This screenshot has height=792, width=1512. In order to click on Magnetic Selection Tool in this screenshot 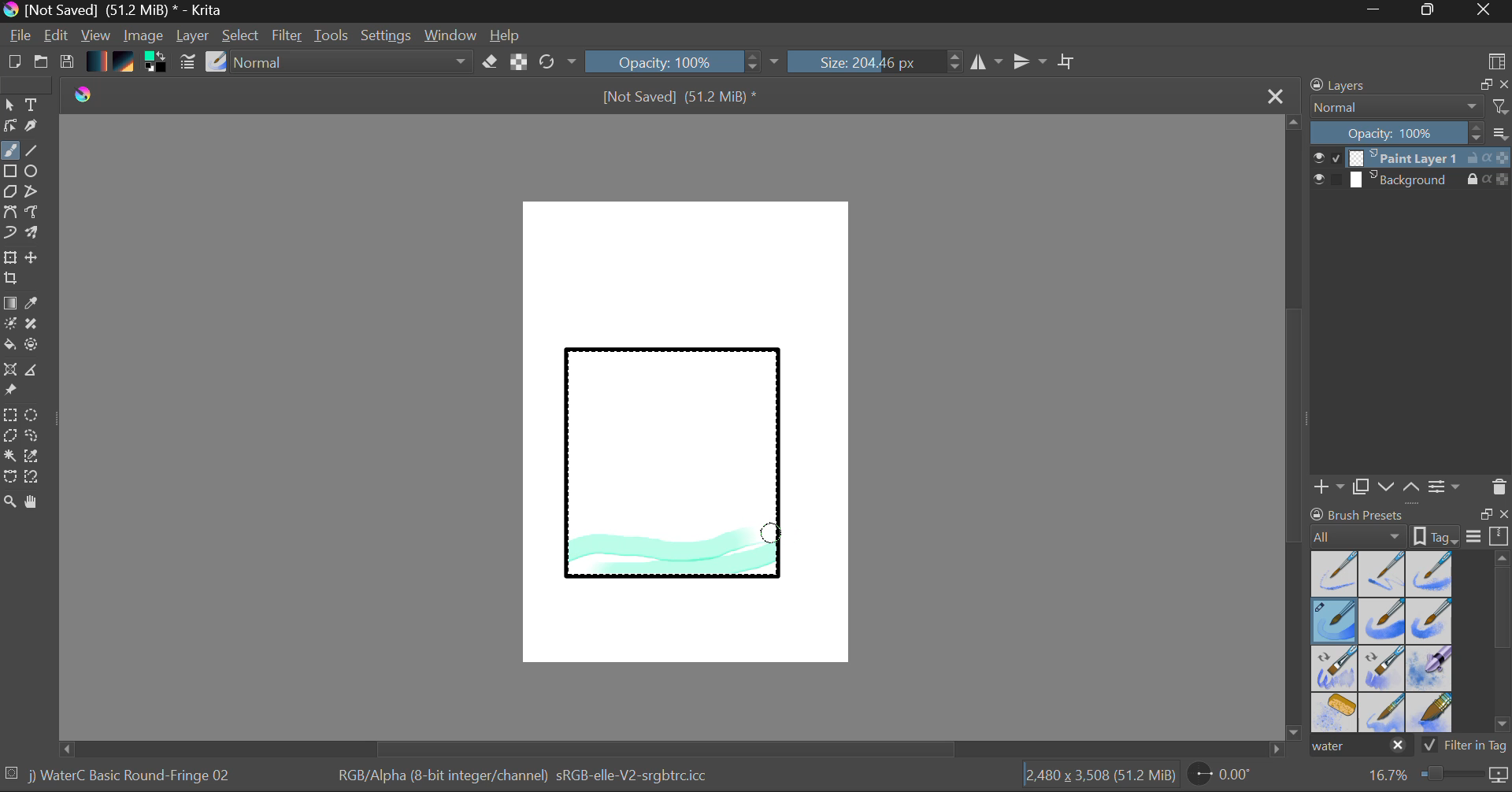, I will do `click(32, 477)`.